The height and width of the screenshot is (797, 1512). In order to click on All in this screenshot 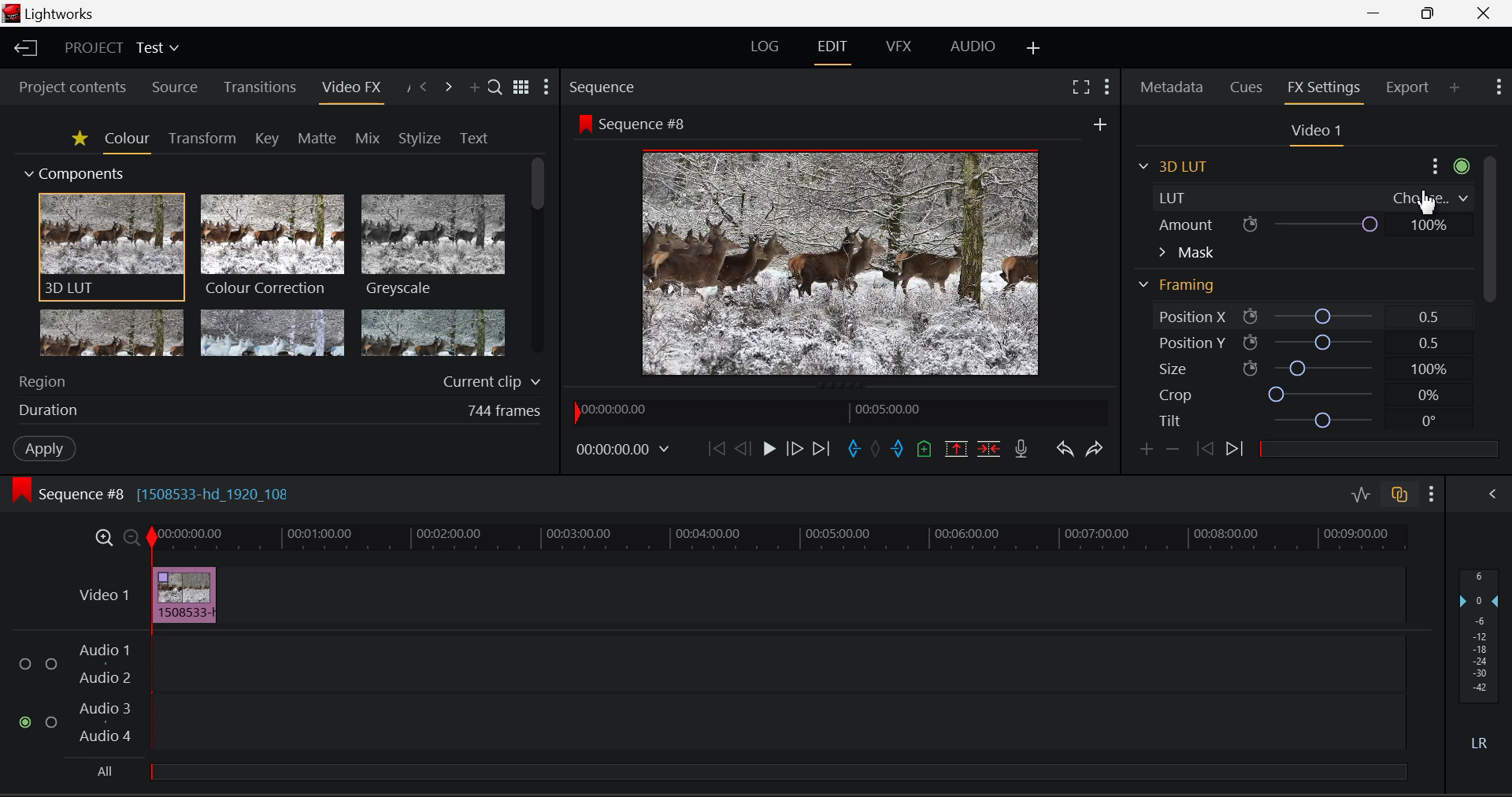, I will do `click(750, 770)`.